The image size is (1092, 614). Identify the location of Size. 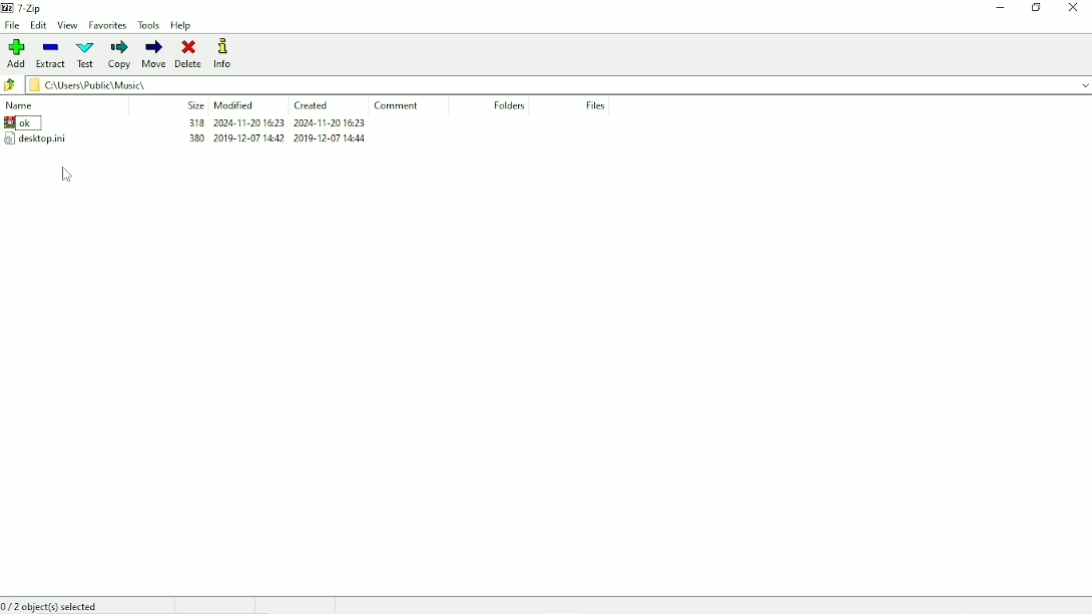
(196, 105).